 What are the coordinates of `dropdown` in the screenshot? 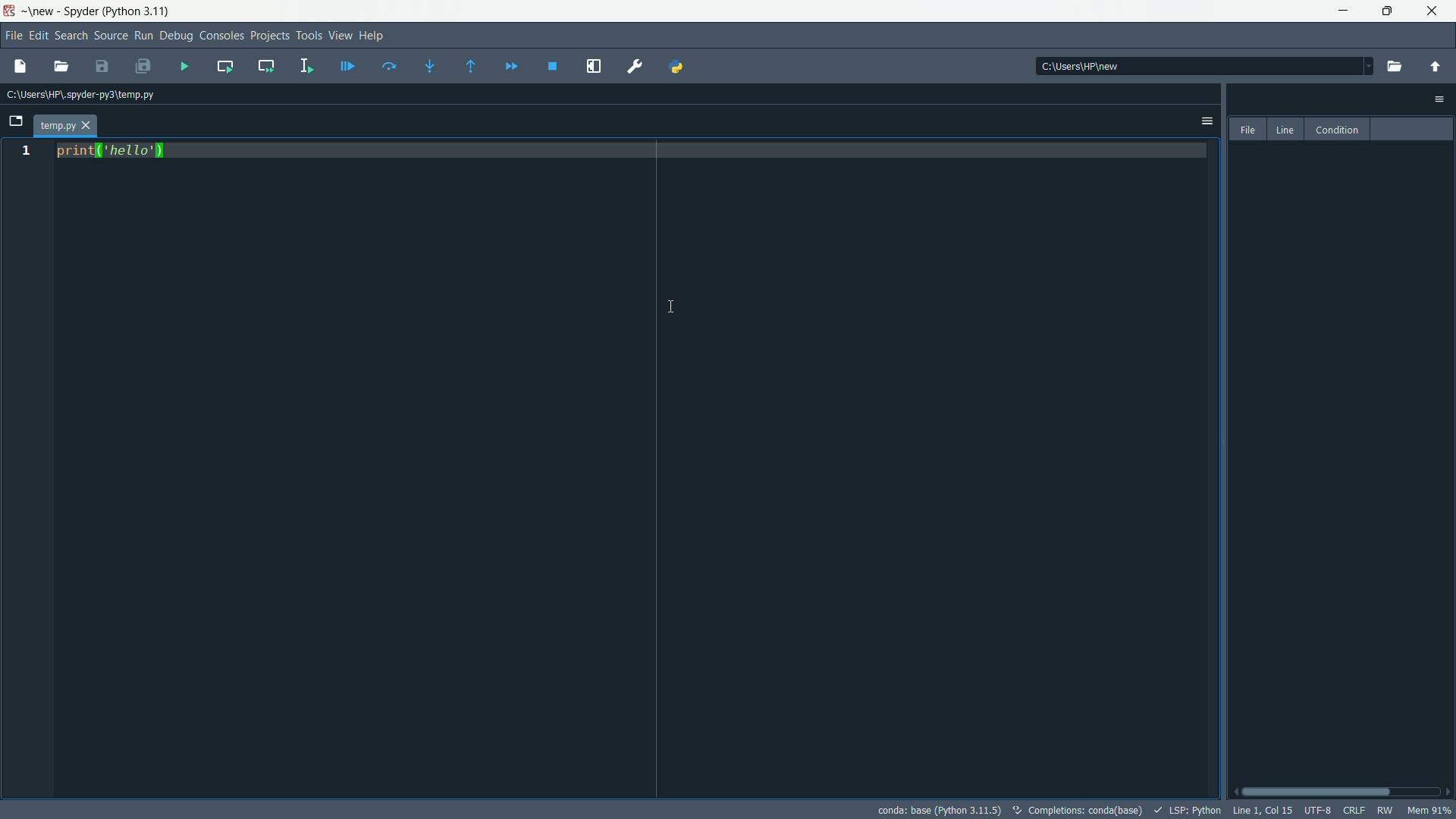 It's located at (1361, 64).